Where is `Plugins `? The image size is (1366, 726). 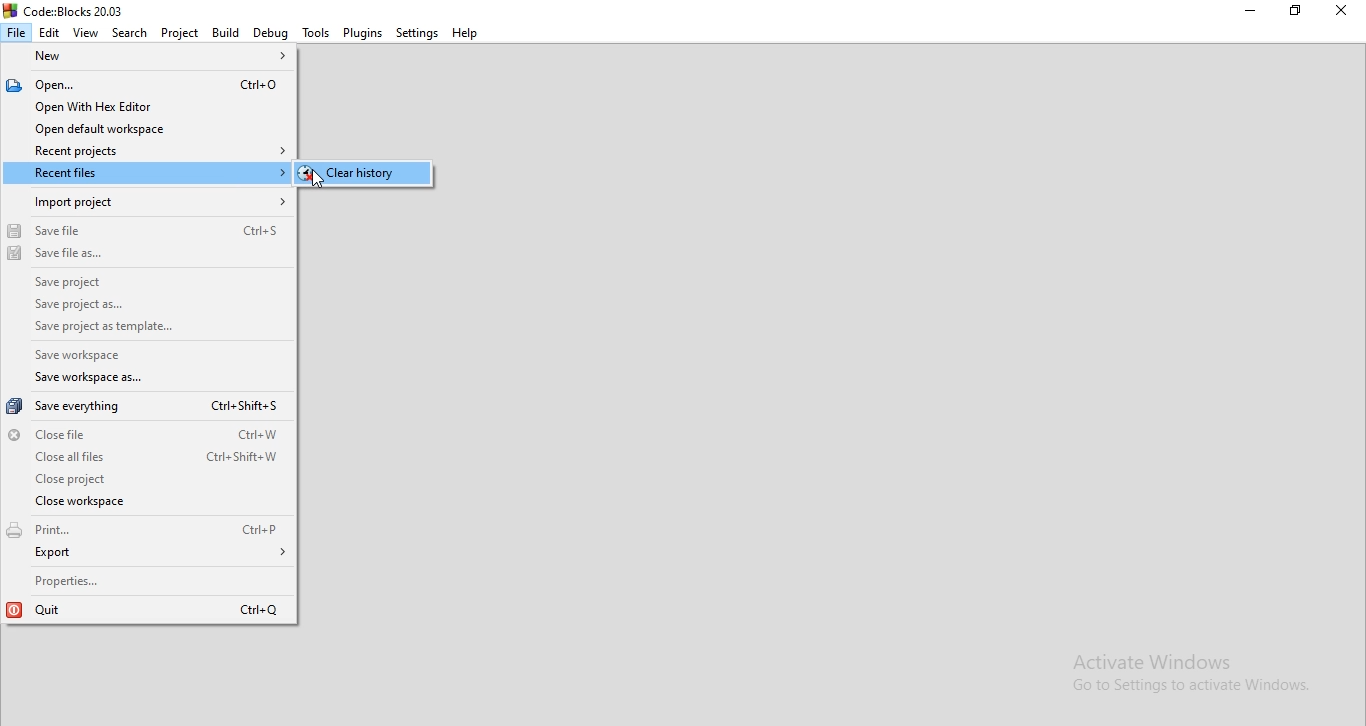 Plugins  is located at coordinates (363, 34).